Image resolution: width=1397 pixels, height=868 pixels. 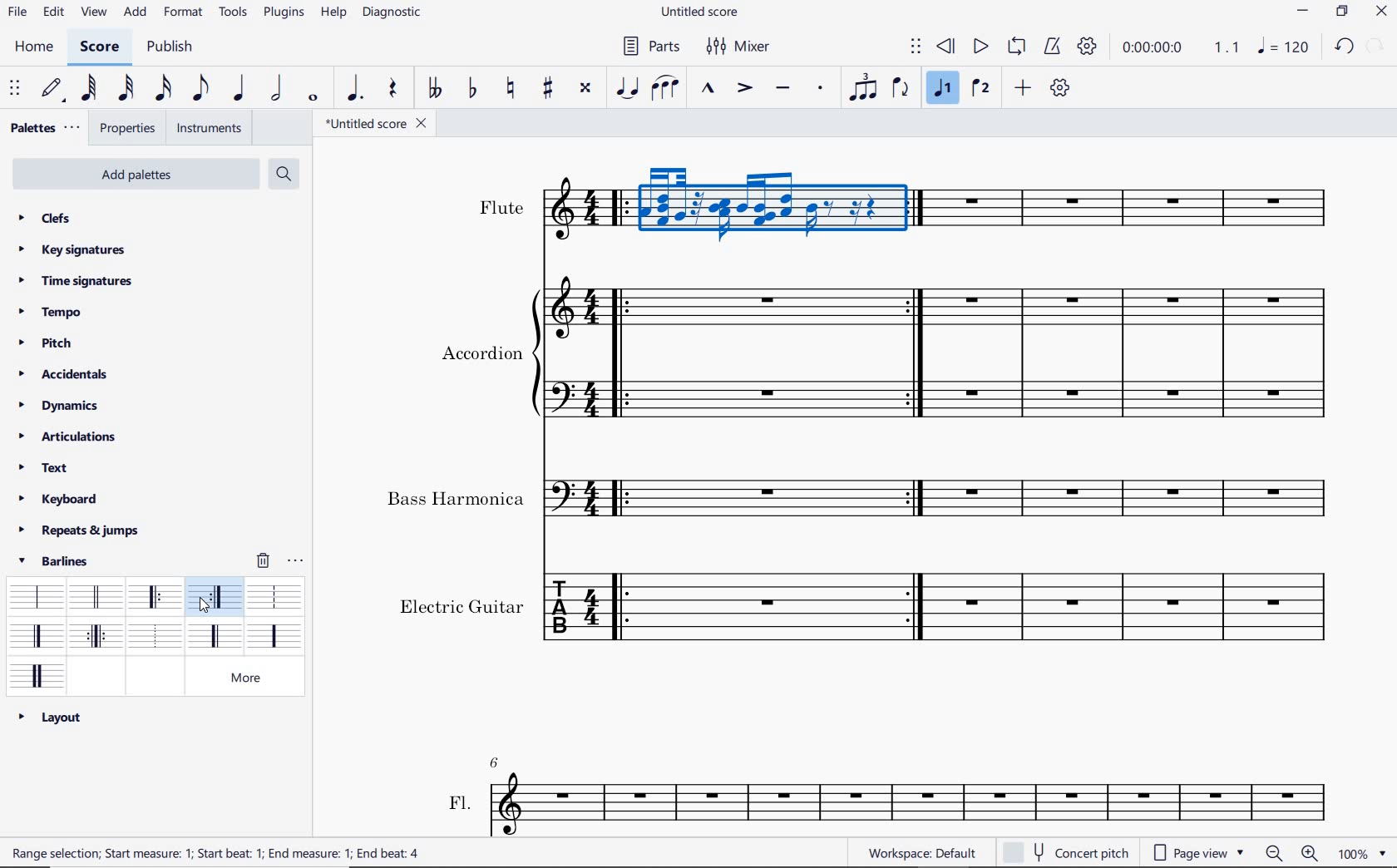 I want to click on PARTS, so click(x=649, y=49).